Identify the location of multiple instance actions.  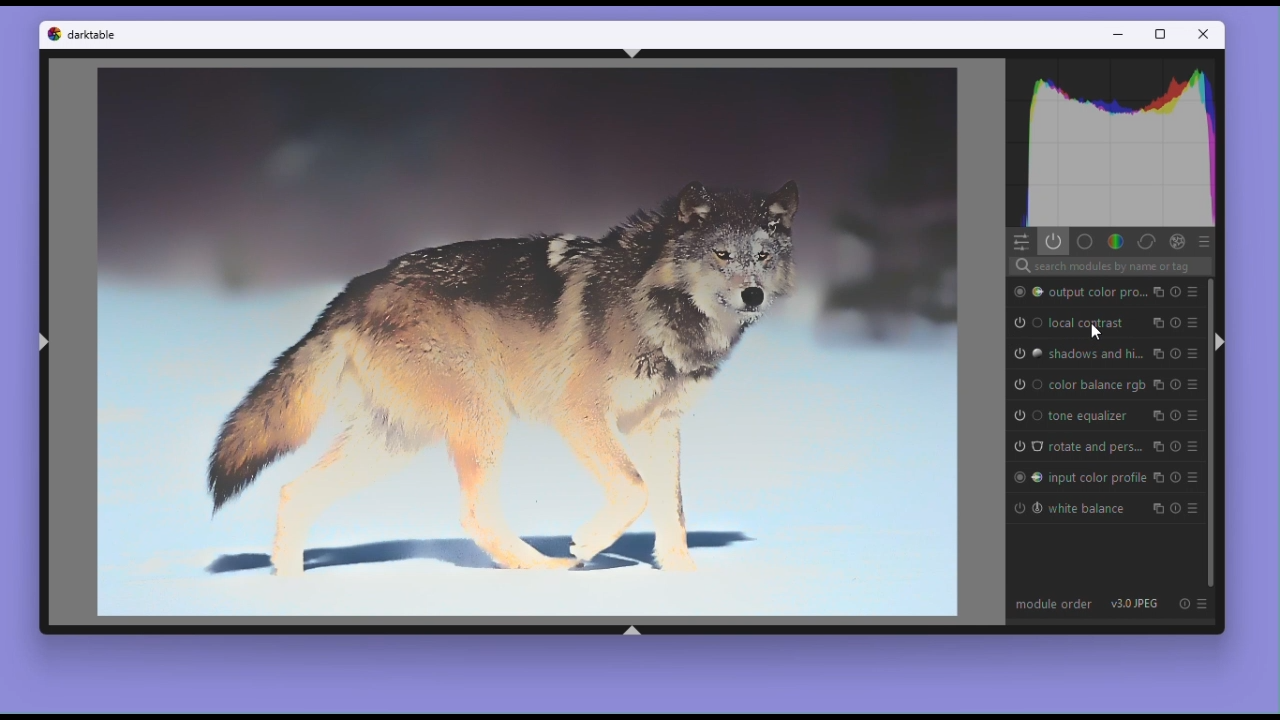
(1157, 386).